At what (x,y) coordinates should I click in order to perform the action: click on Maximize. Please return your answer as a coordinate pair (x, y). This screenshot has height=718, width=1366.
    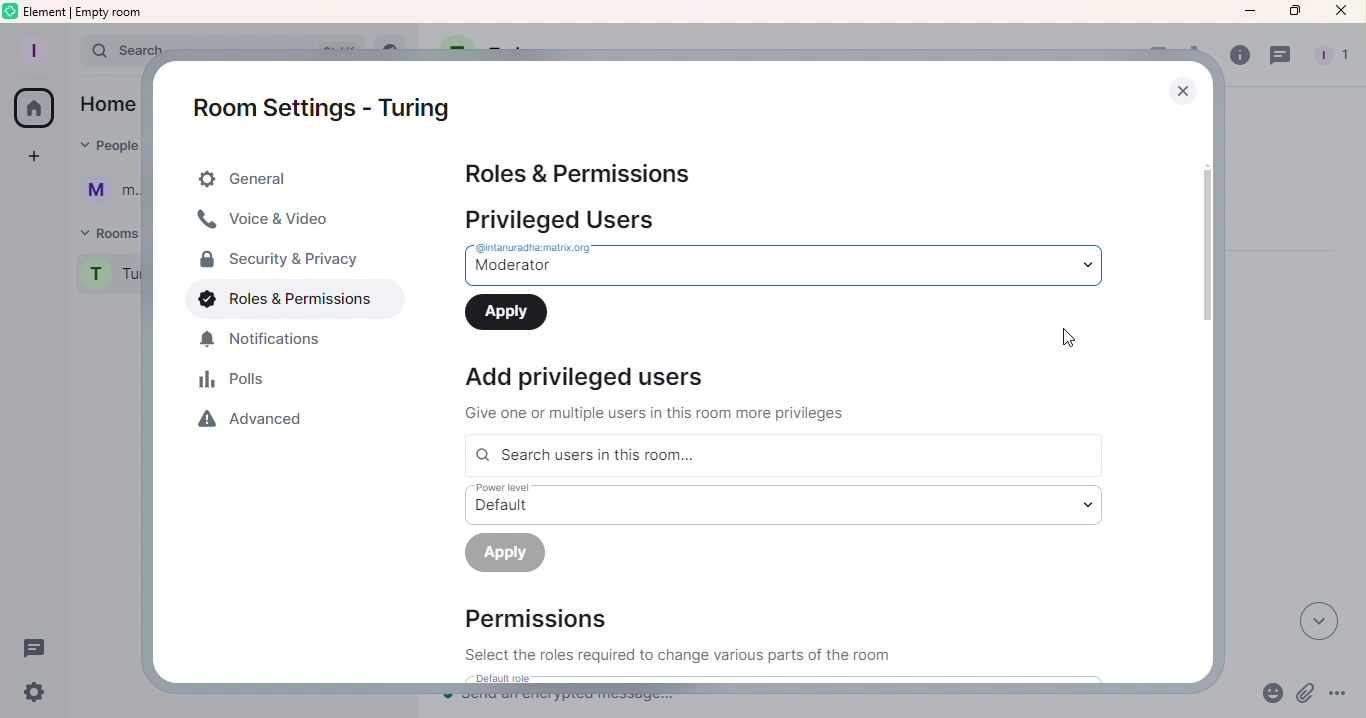
    Looking at the image, I should click on (1288, 12).